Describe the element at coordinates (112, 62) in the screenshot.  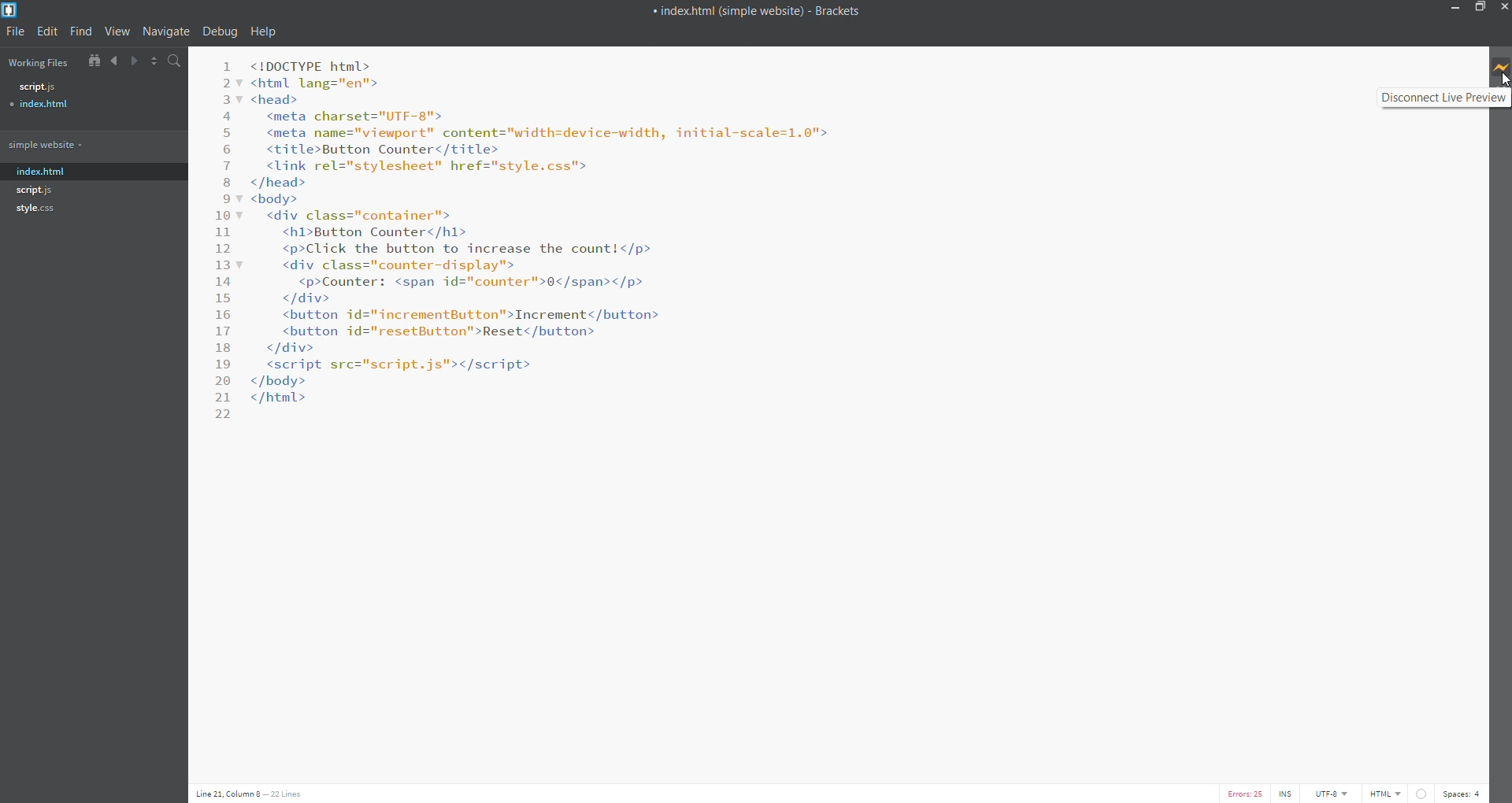
I see `navigate backward` at that location.